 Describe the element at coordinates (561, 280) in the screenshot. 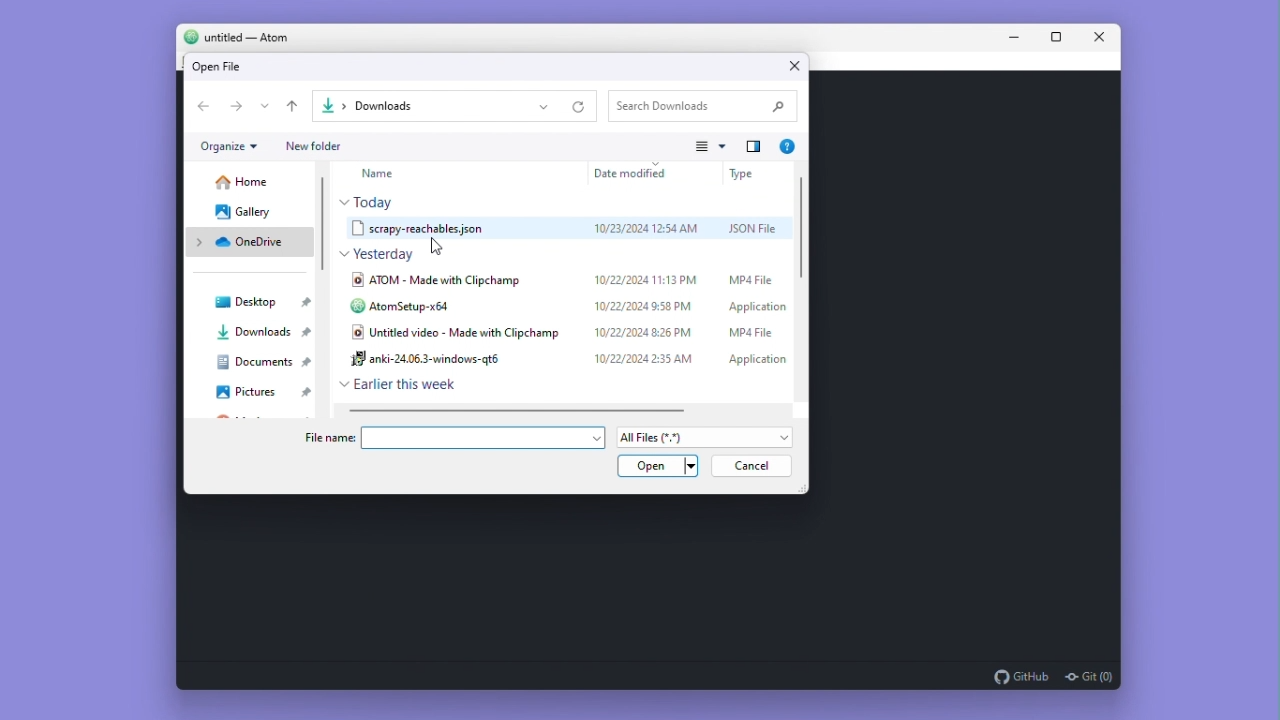

I see `ATOM - Made with Clipchamp  10/22/2024 11:13PM  MP4 File` at that location.